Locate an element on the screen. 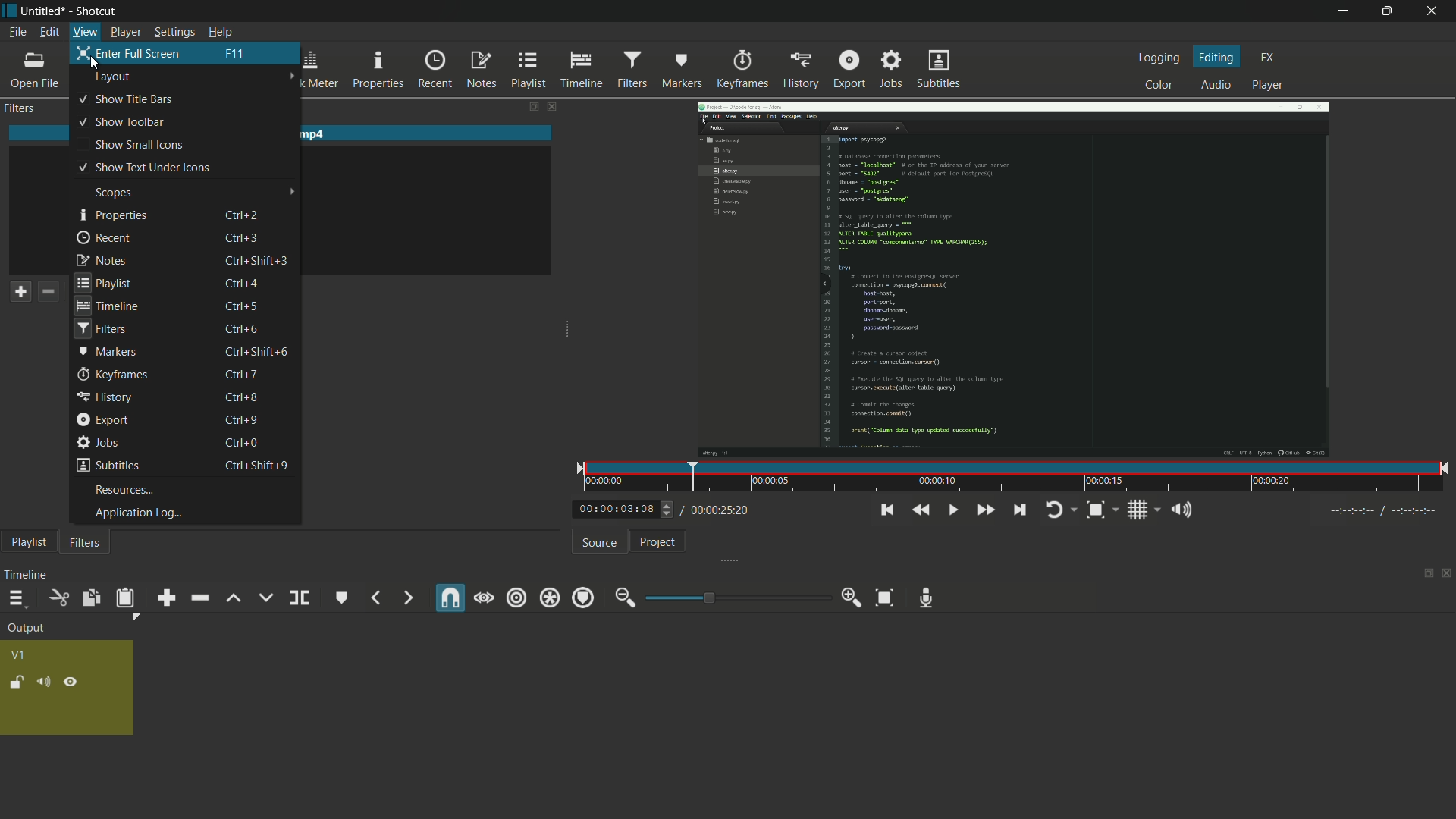 The image size is (1456, 819). project is located at coordinates (661, 542).